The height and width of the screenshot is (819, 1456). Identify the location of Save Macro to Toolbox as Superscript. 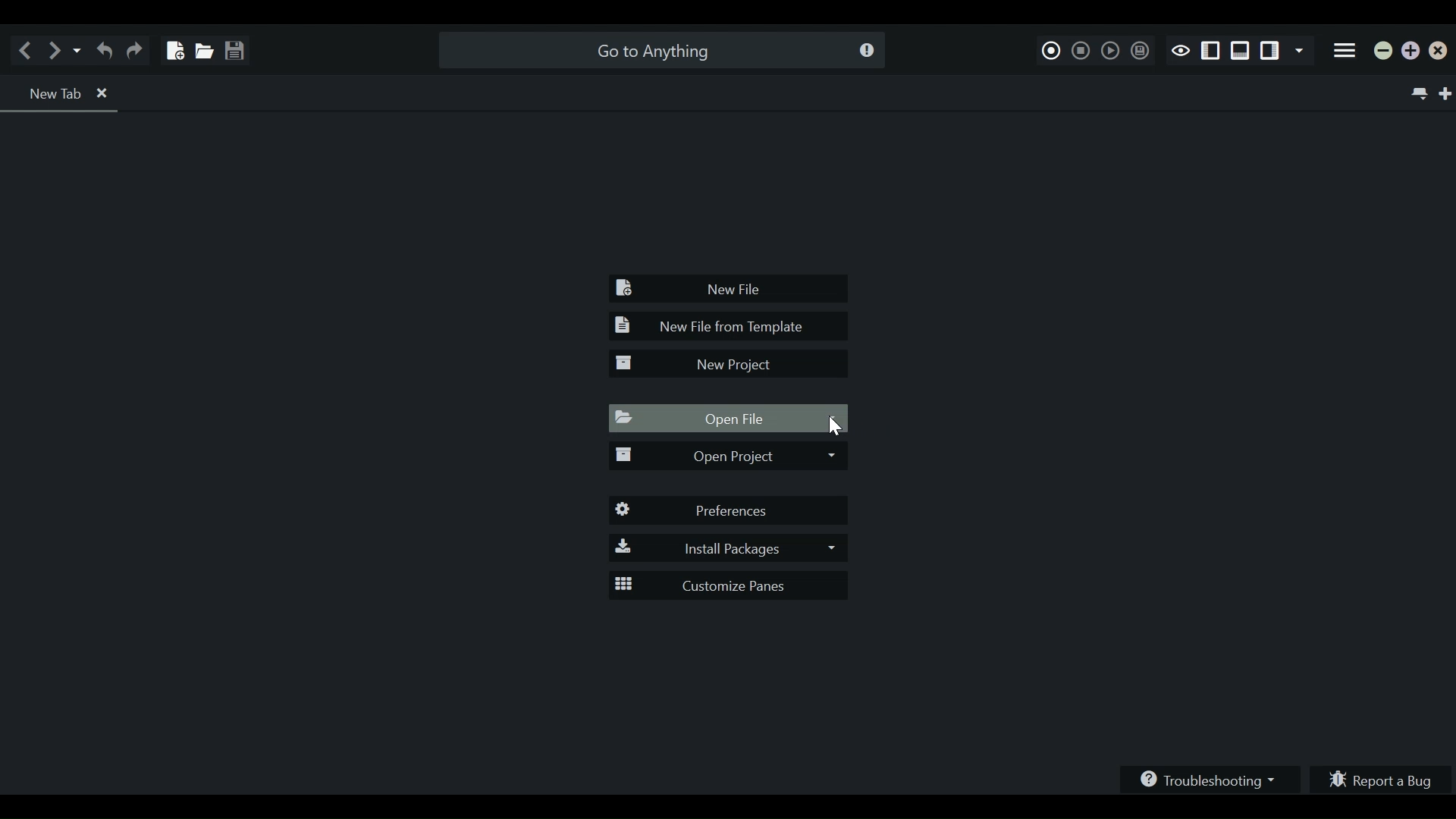
(1138, 51).